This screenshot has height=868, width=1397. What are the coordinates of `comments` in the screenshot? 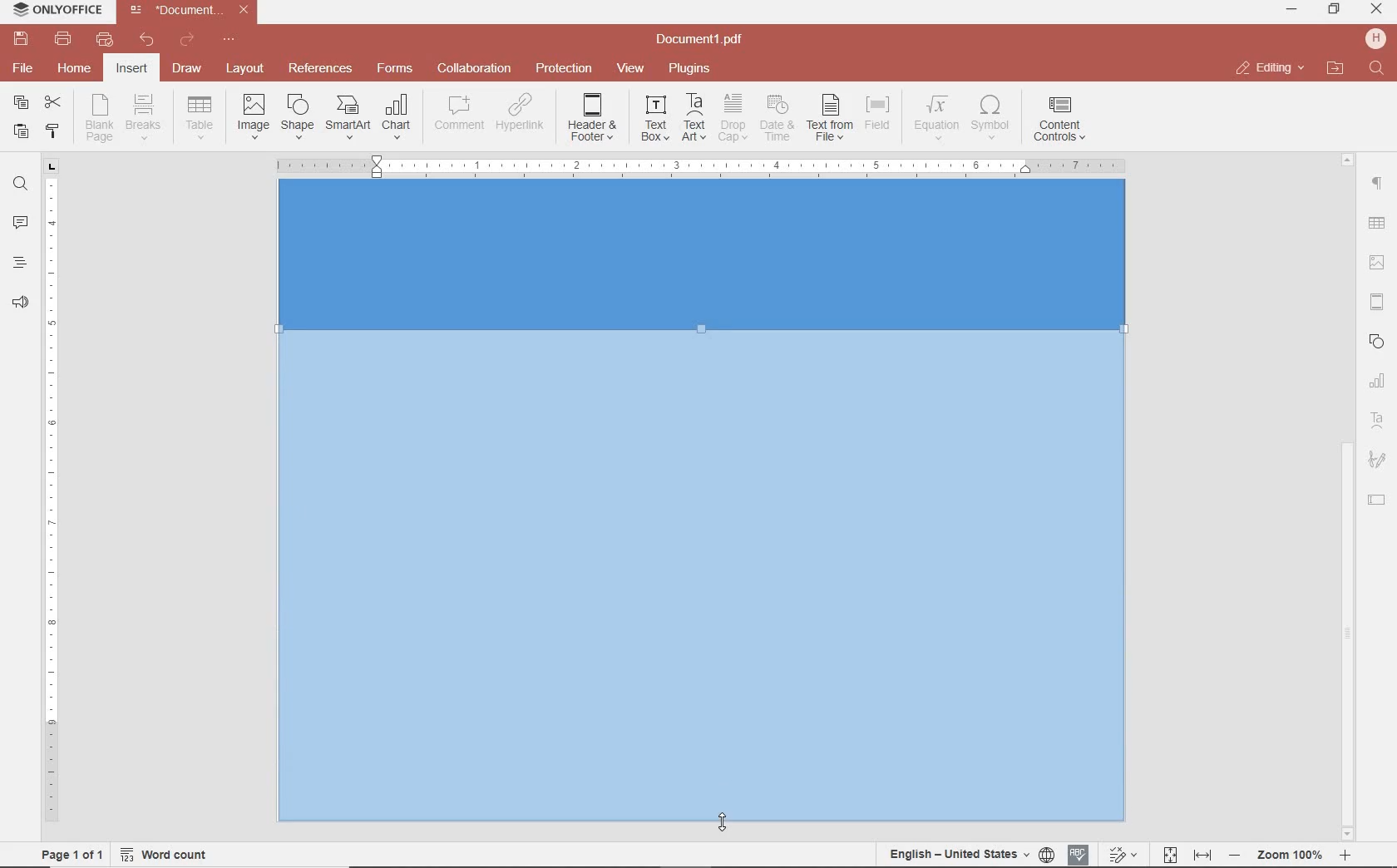 It's located at (20, 224).